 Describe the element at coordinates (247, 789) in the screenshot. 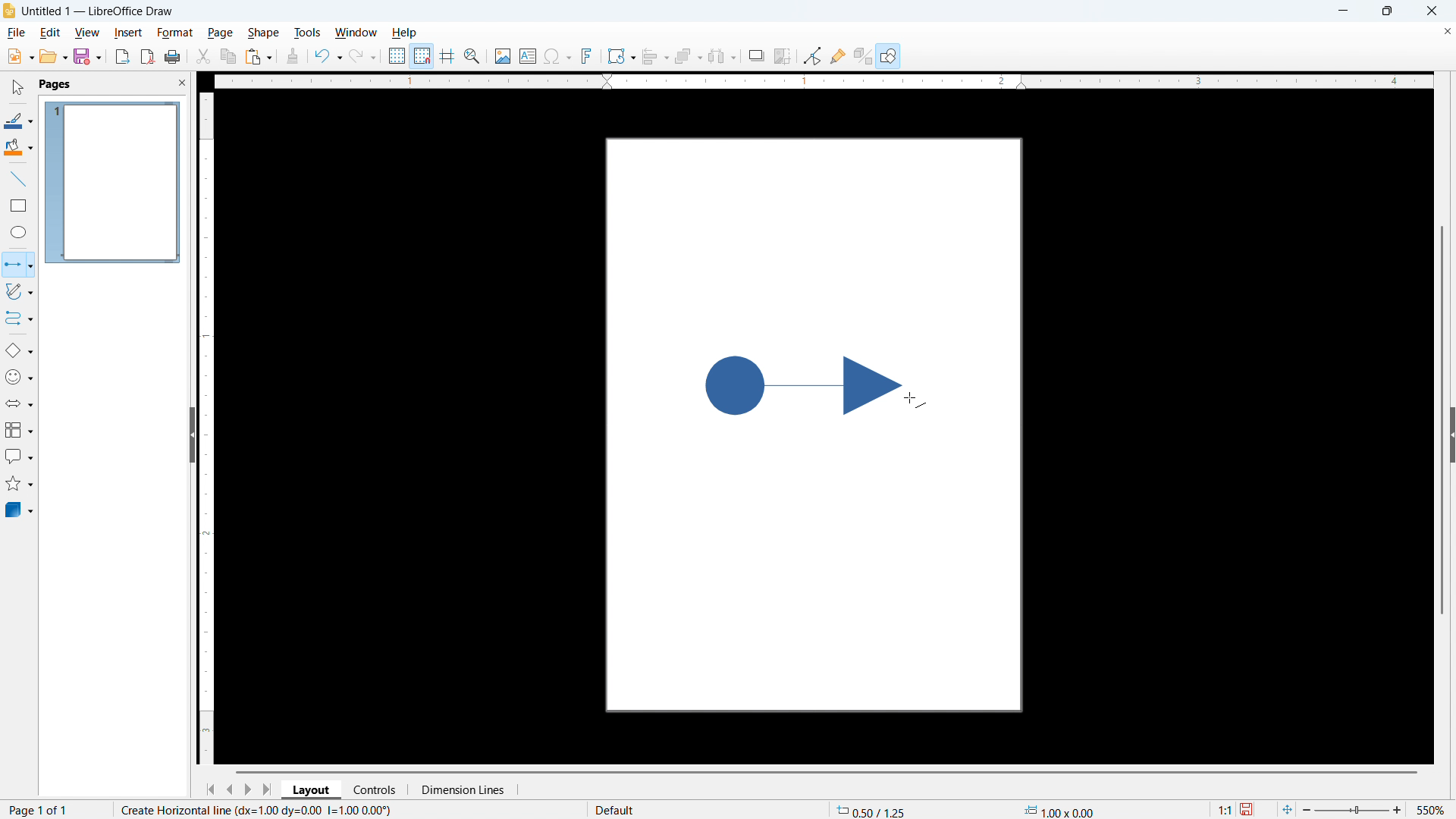

I see `Next page ` at that location.